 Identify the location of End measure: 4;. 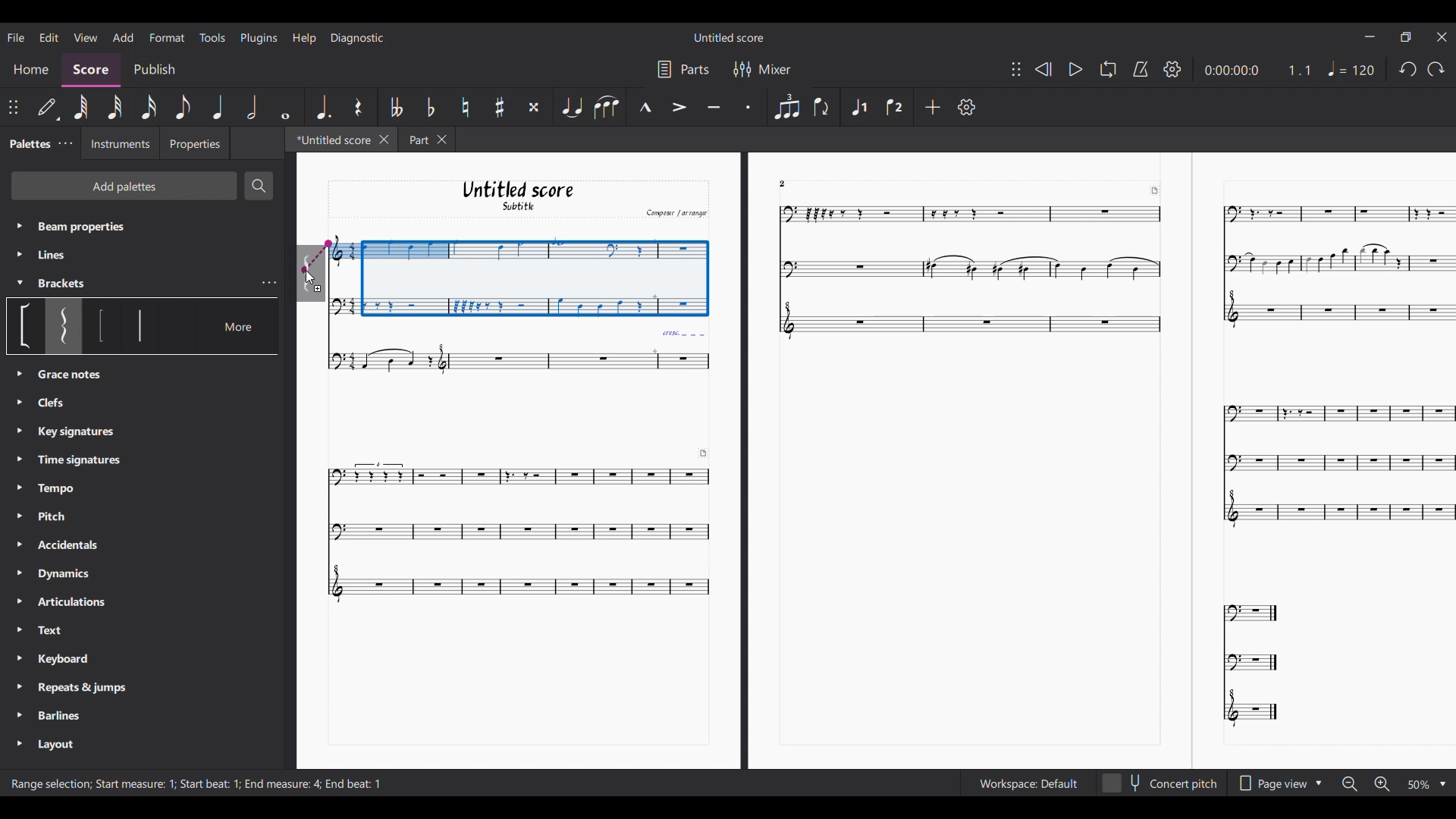
(282, 783).